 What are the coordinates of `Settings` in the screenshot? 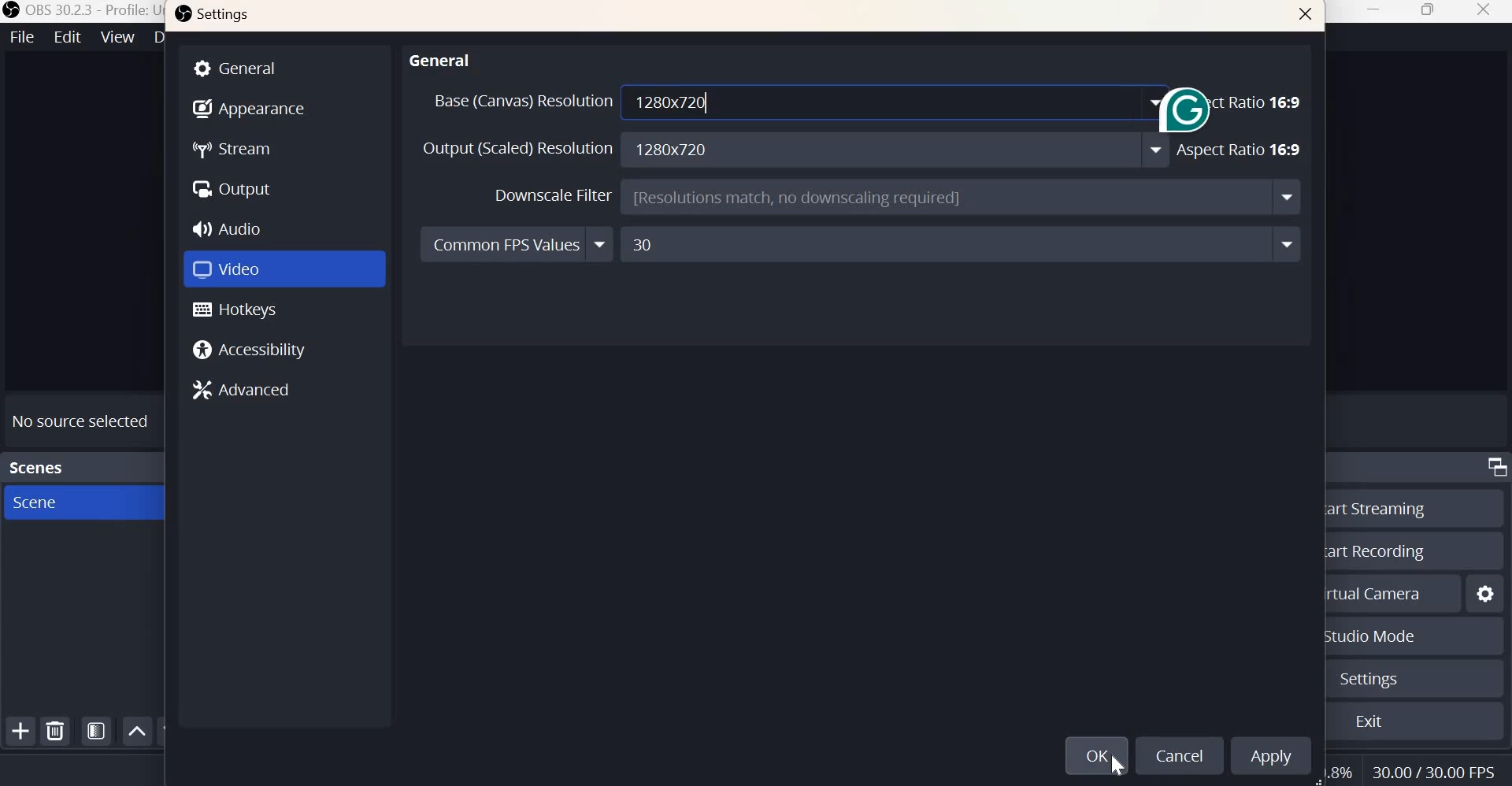 It's located at (1366, 680).